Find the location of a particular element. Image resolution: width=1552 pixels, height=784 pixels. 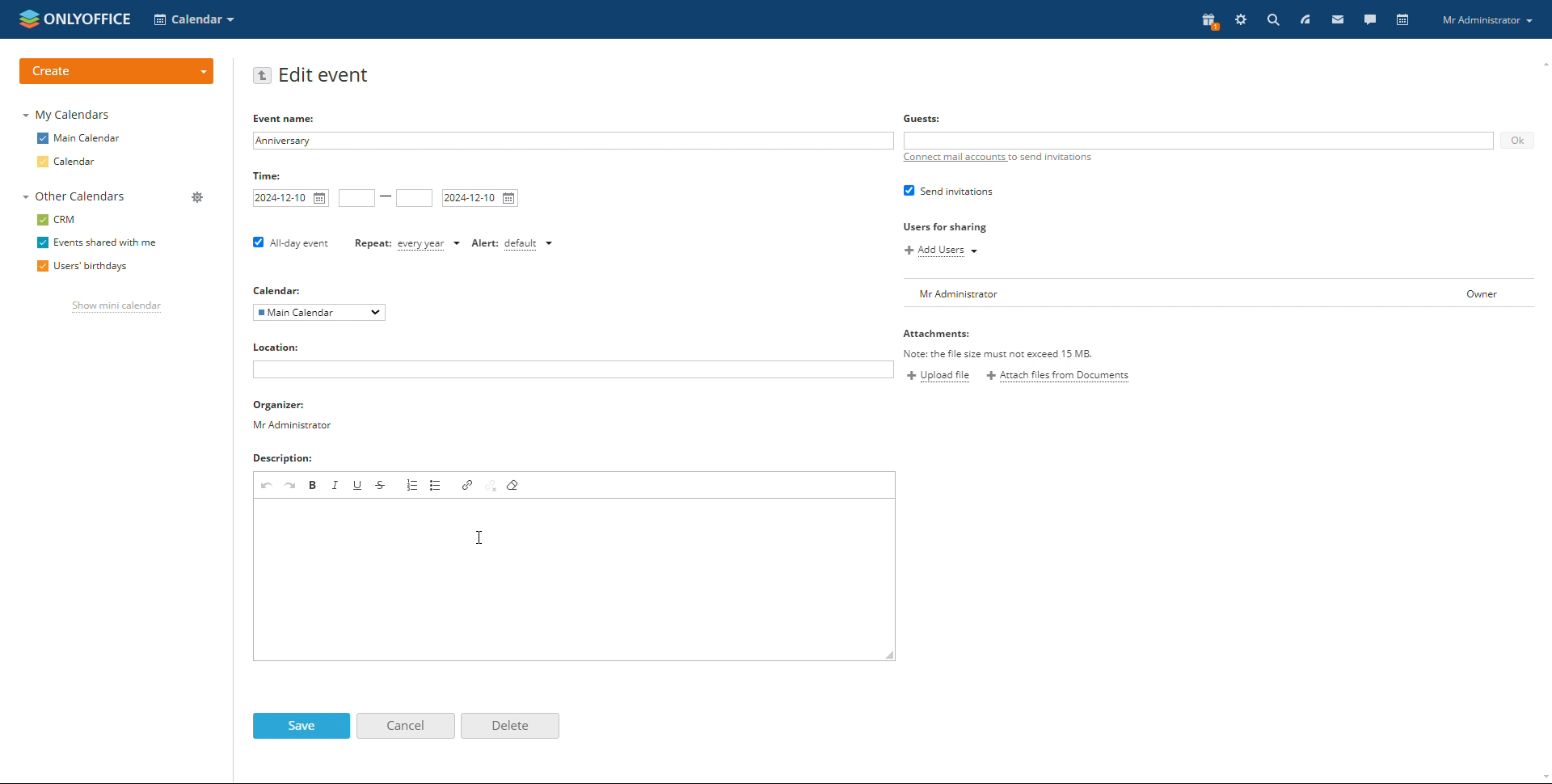

Time: is located at coordinates (273, 175).